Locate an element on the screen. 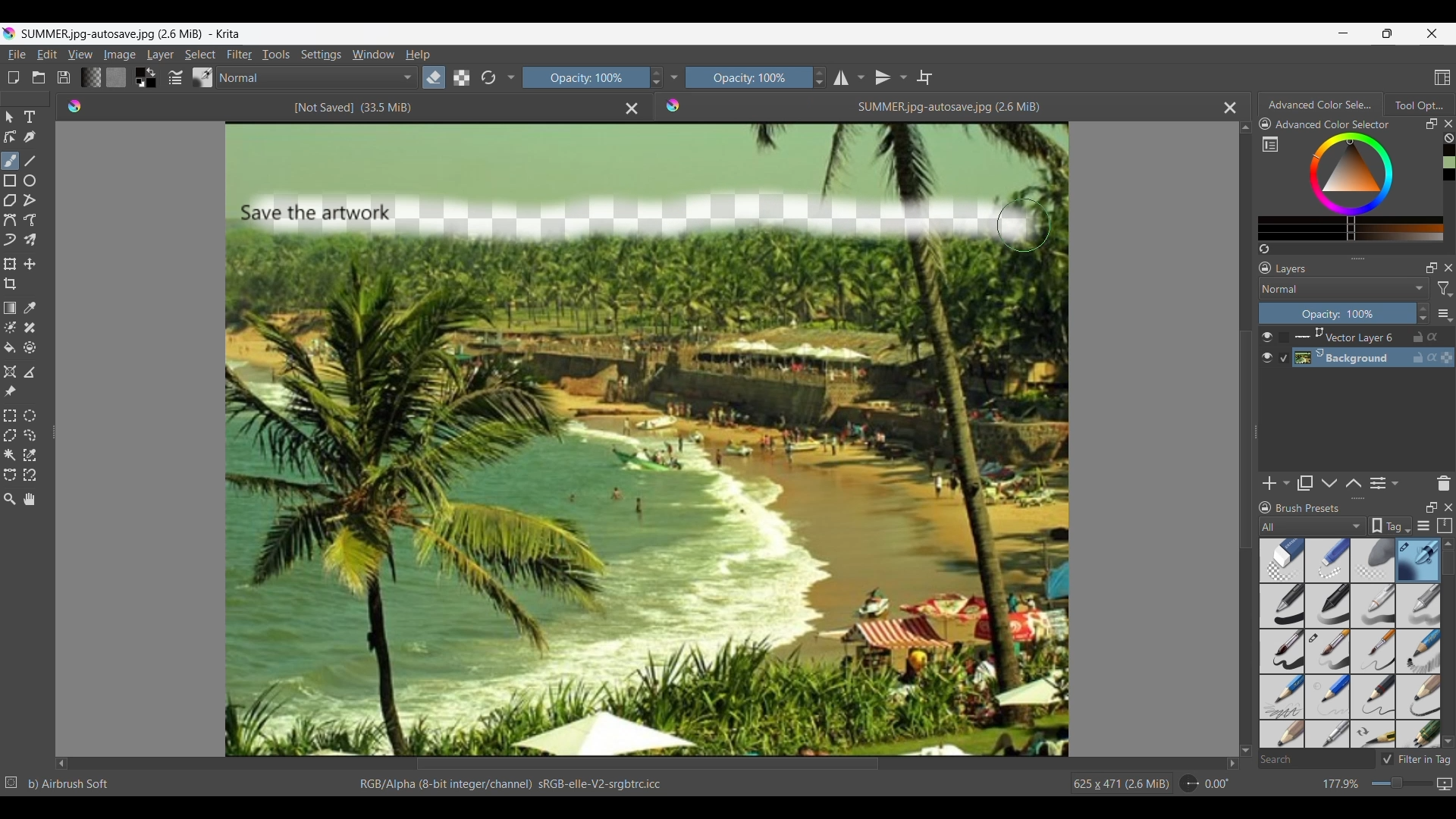  Set eraser mode (E) is located at coordinates (485, 106).